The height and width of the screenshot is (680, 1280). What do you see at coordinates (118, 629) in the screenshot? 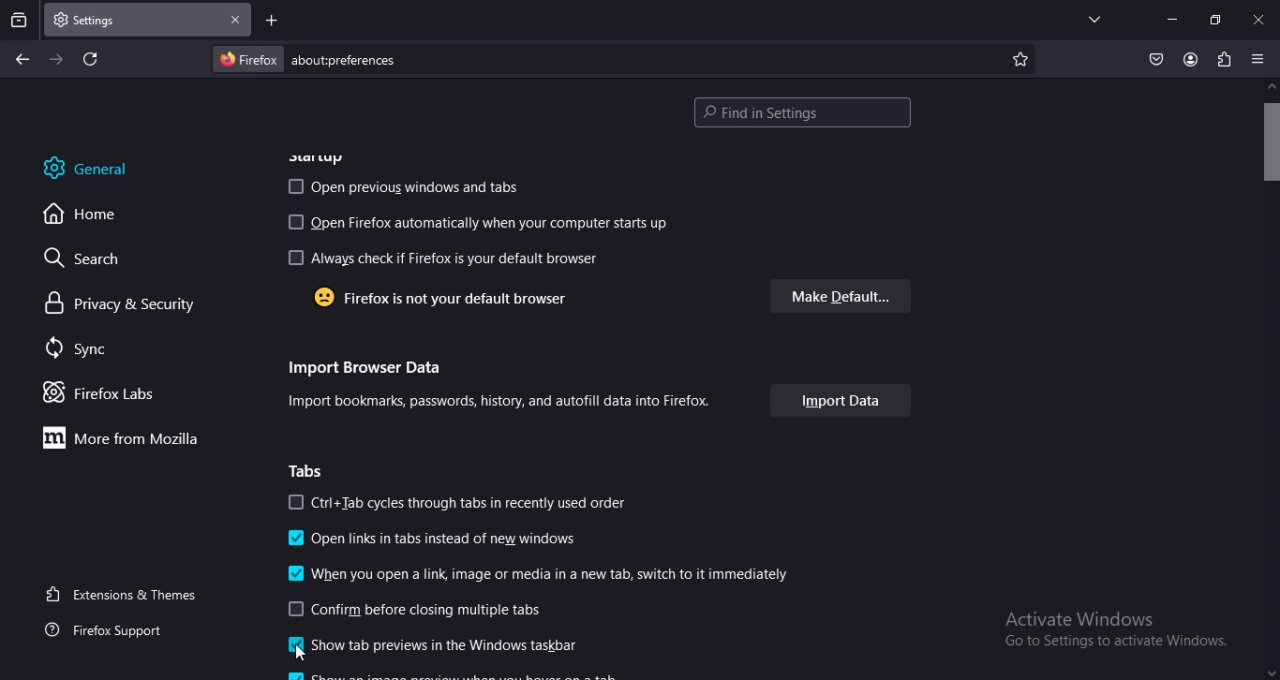
I see `firefox support` at bounding box center [118, 629].